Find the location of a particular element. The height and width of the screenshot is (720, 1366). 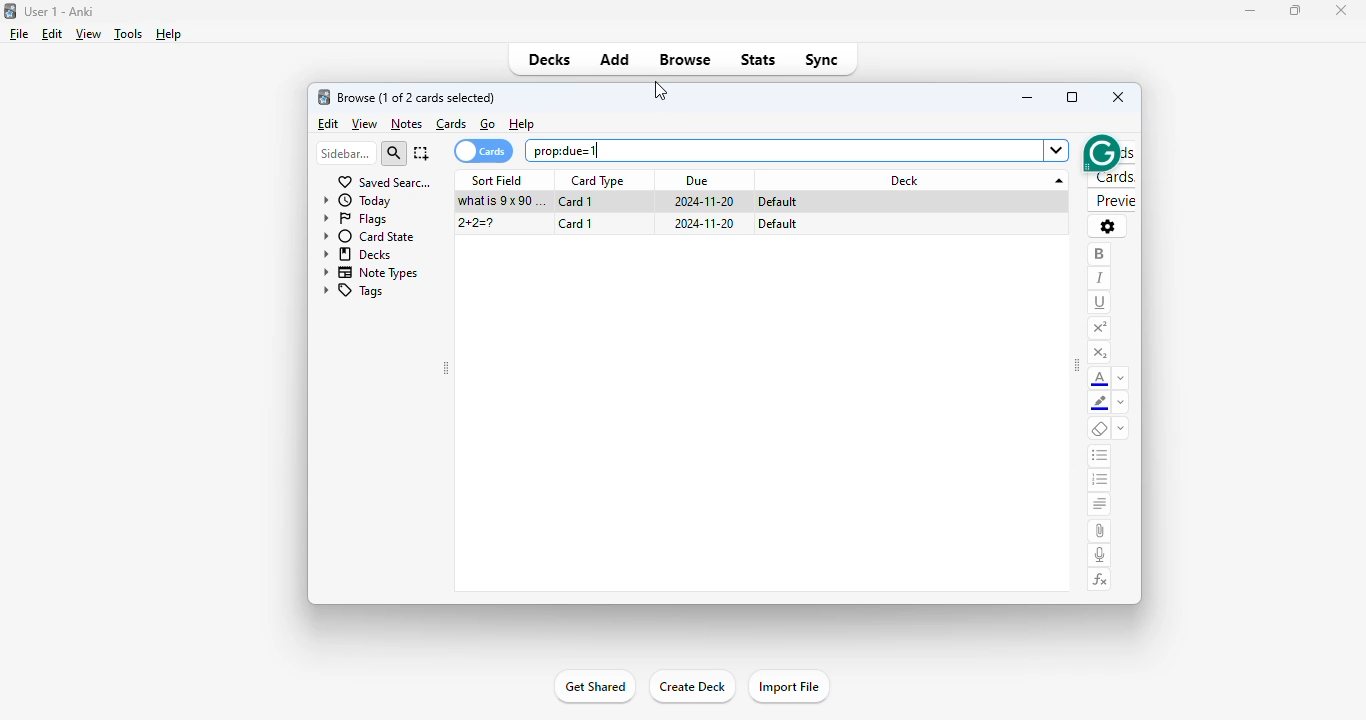

get shared is located at coordinates (594, 687).